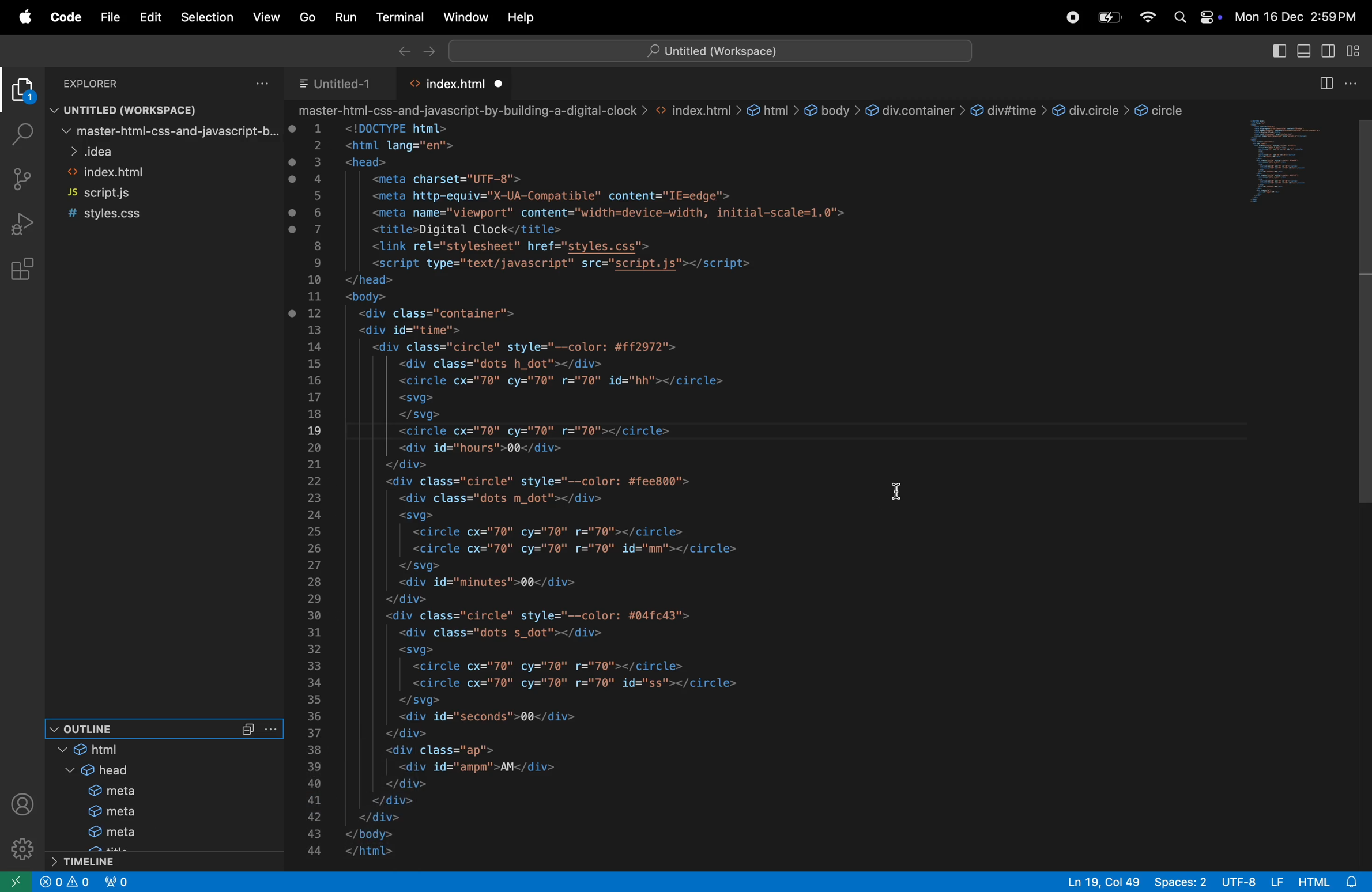 This screenshot has height=892, width=1372. What do you see at coordinates (119, 791) in the screenshot?
I see `meta` at bounding box center [119, 791].